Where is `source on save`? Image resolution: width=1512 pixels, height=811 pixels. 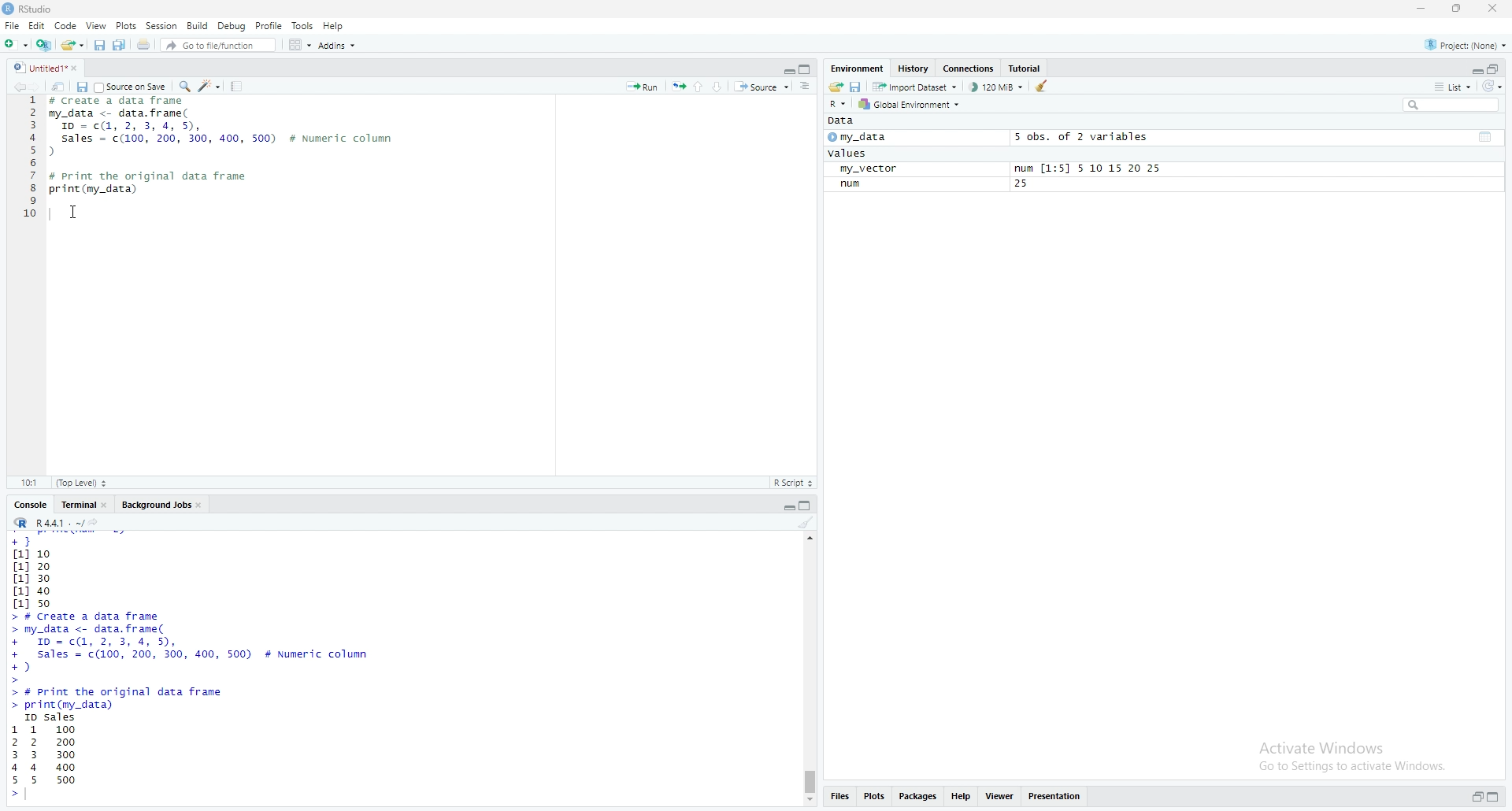
source on save is located at coordinates (132, 88).